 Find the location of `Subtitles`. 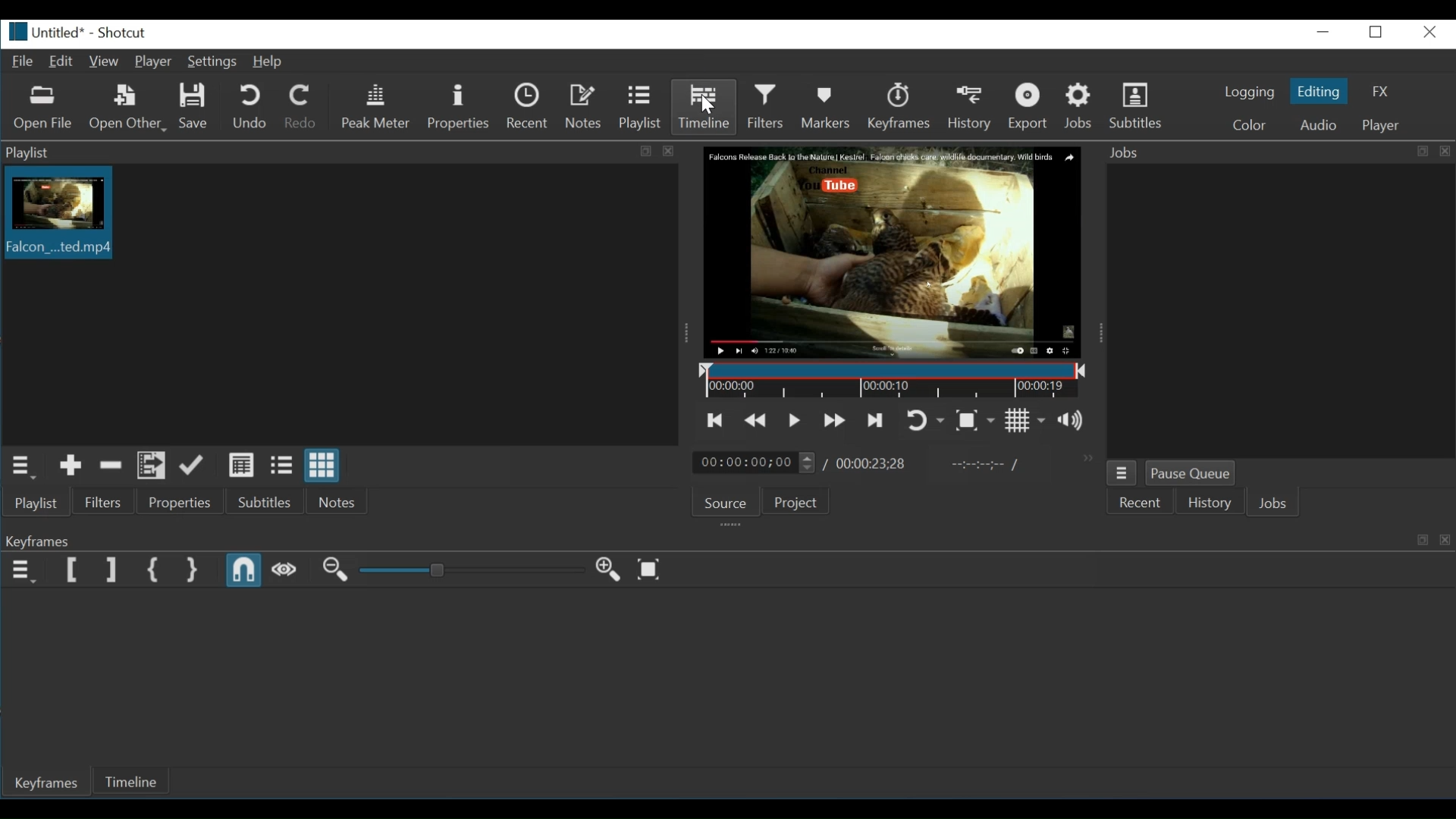

Subtitles is located at coordinates (271, 500).